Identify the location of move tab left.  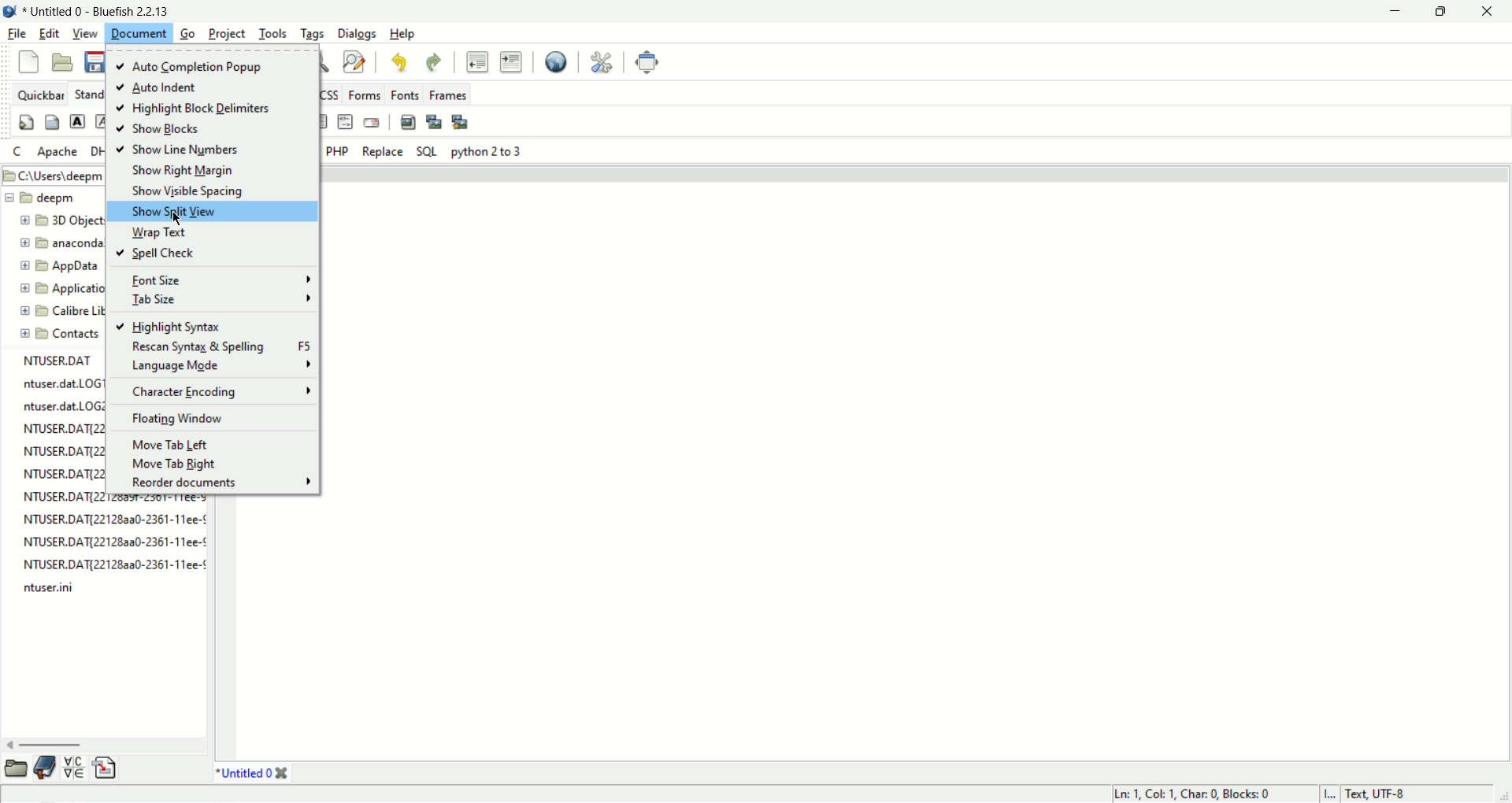
(199, 443).